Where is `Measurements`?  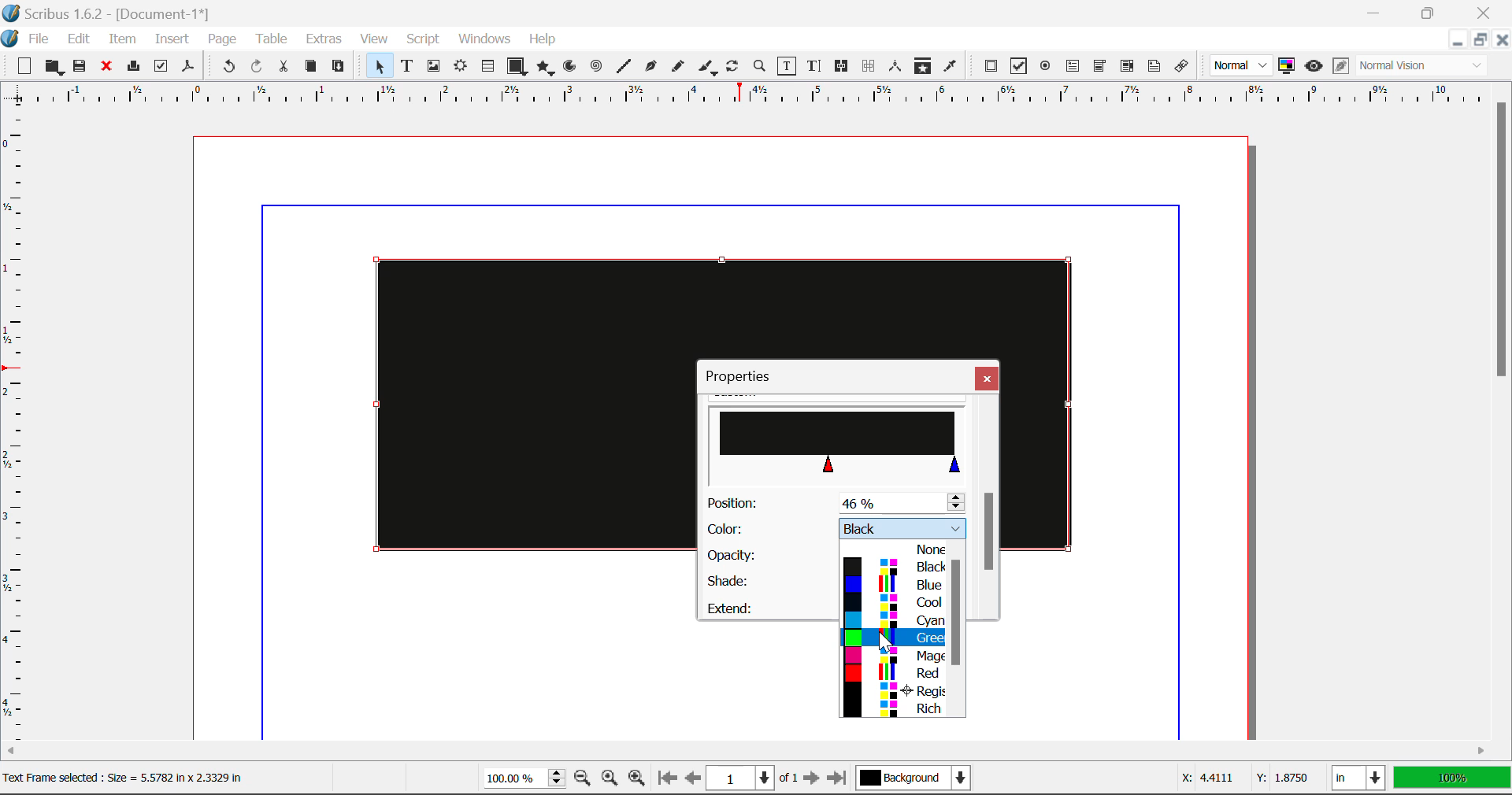 Measurements is located at coordinates (896, 66).